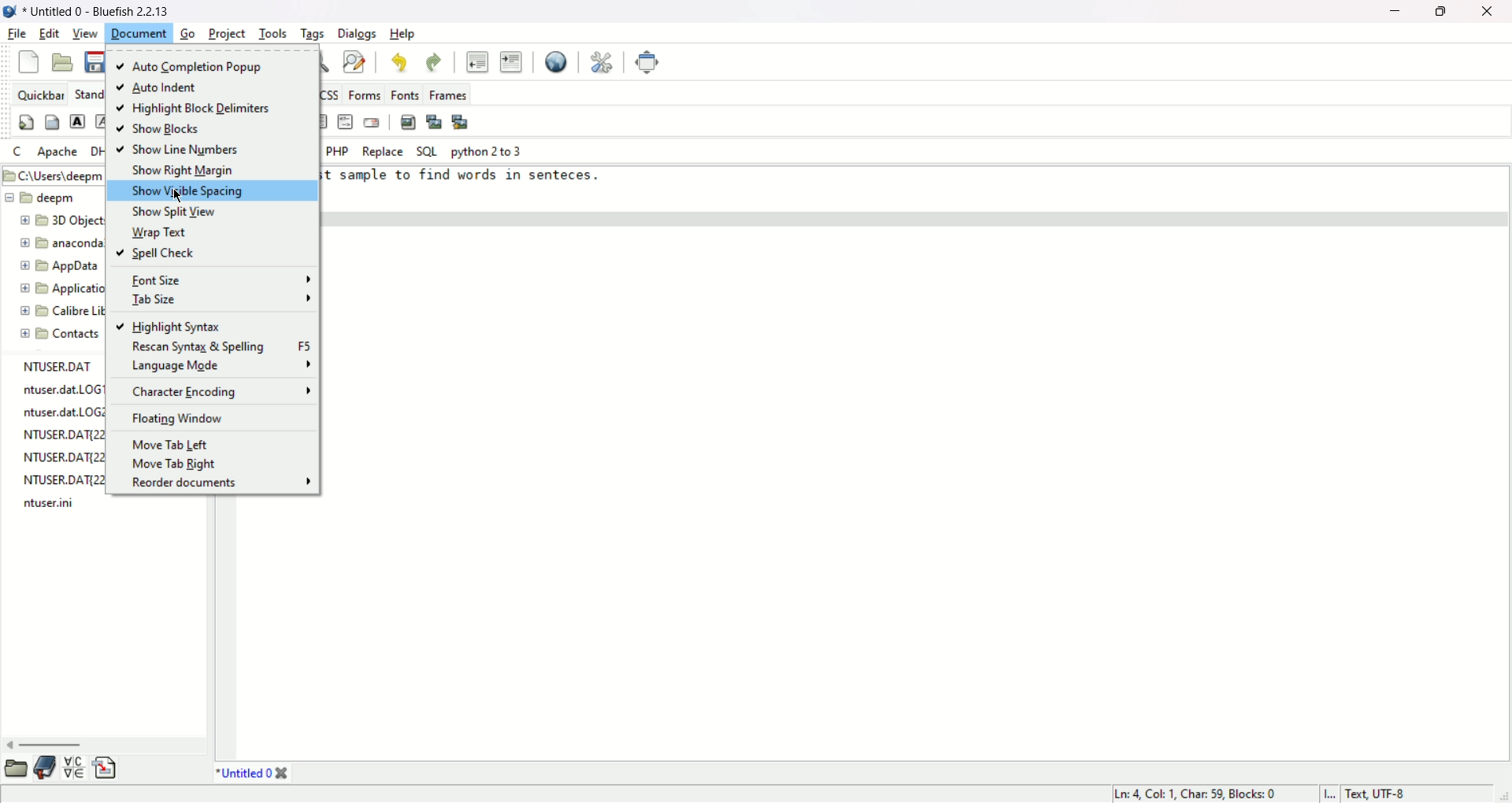 This screenshot has width=1512, height=803. I want to click on move tab right, so click(180, 464).